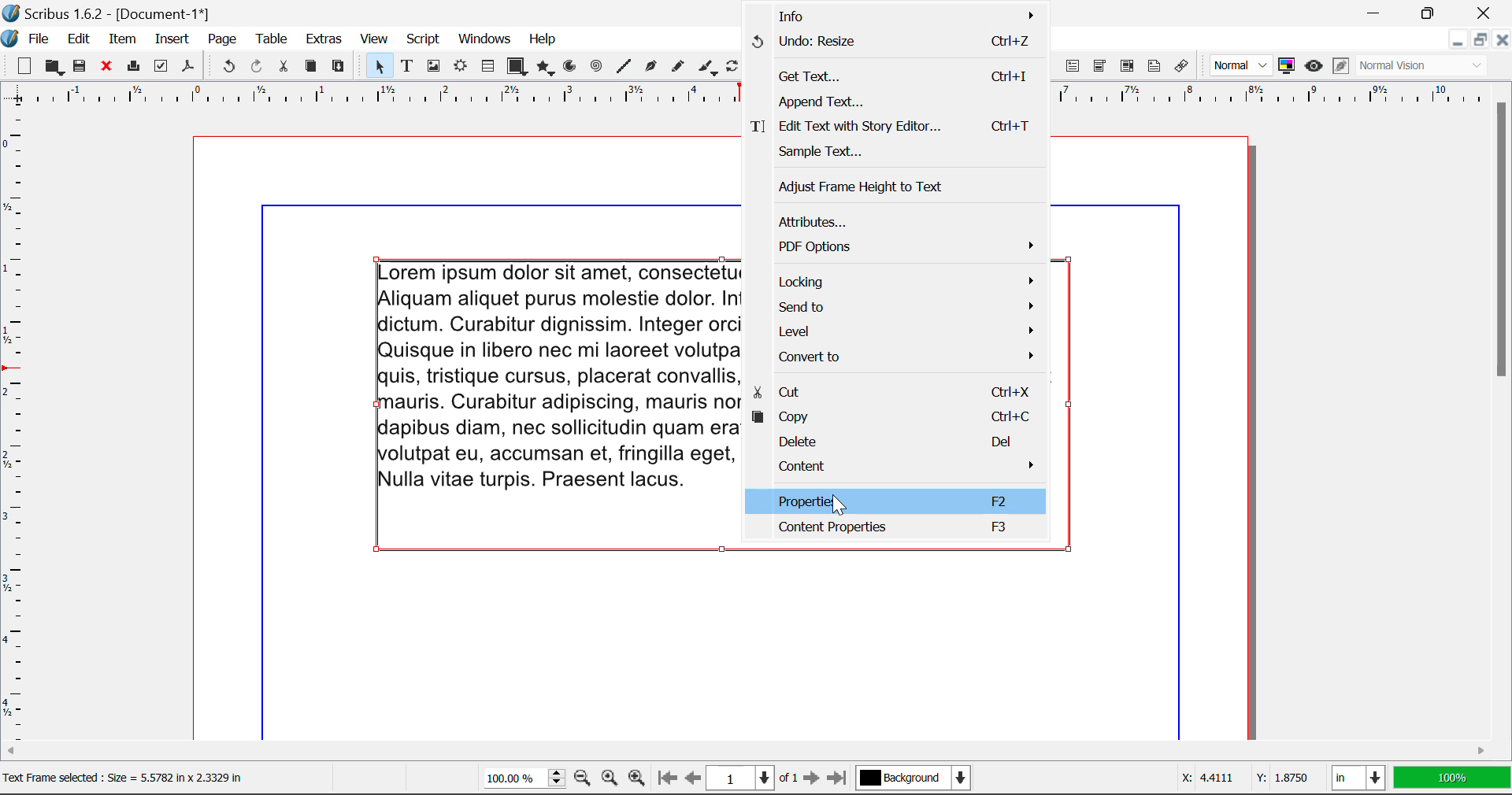 This screenshot has width=1512, height=795. What do you see at coordinates (326, 39) in the screenshot?
I see `Extras` at bounding box center [326, 39].